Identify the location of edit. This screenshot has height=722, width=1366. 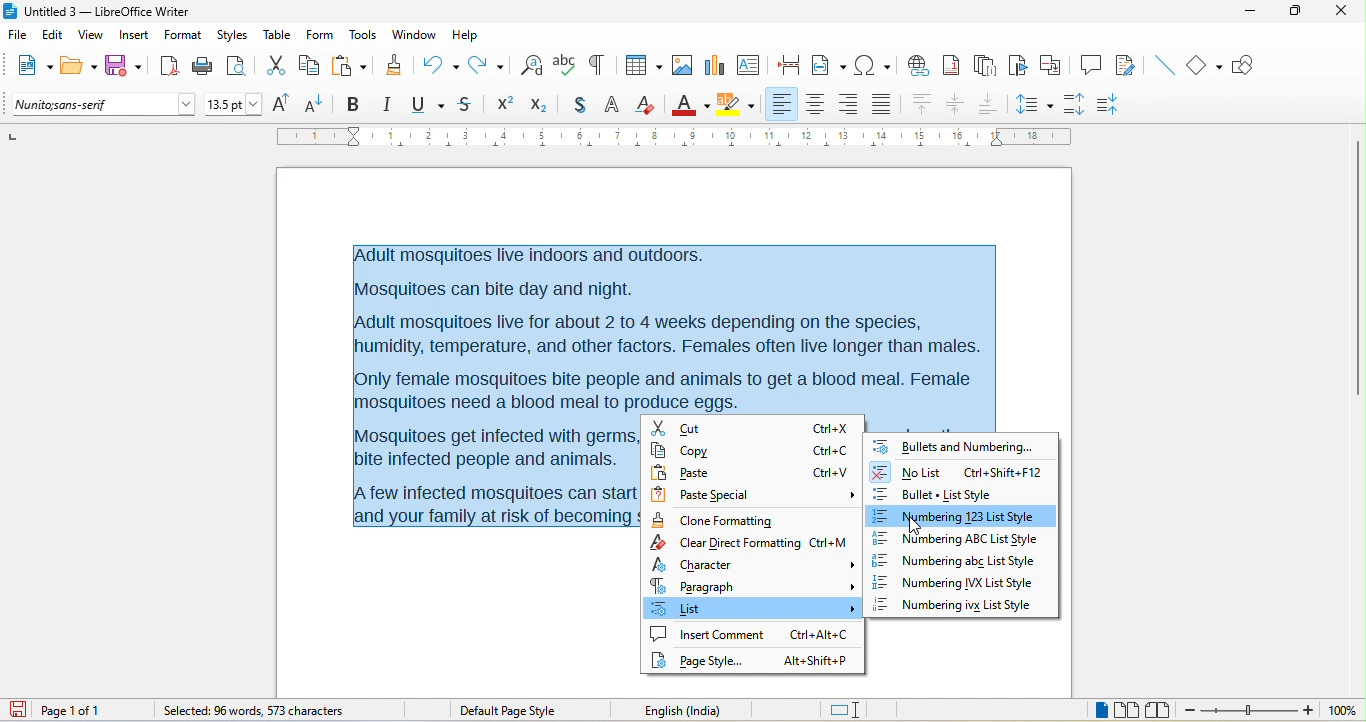
(50, 34).